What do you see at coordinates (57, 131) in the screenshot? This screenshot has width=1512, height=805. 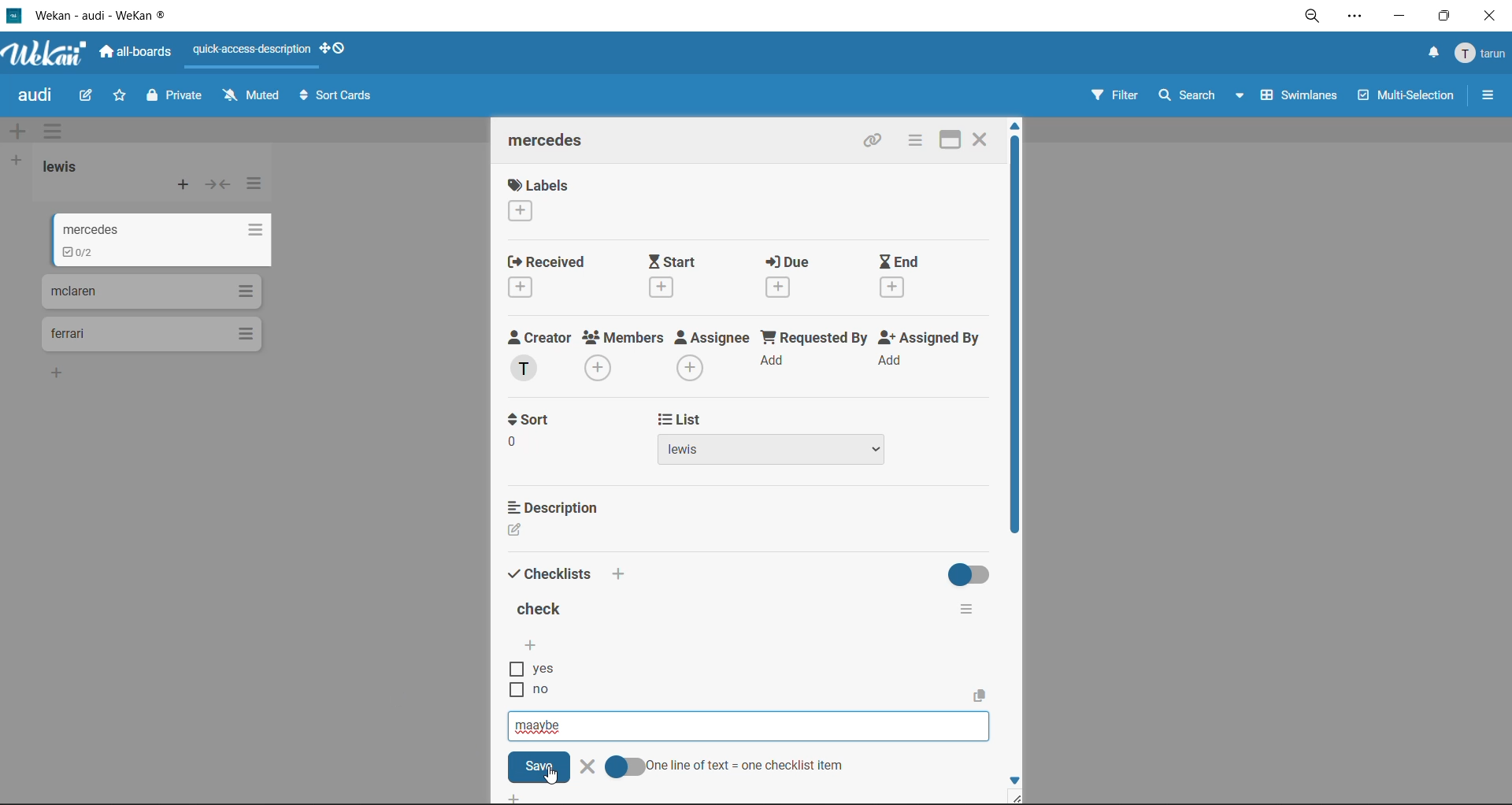 I see `swimlane actions` at bounding box center [57, 131].